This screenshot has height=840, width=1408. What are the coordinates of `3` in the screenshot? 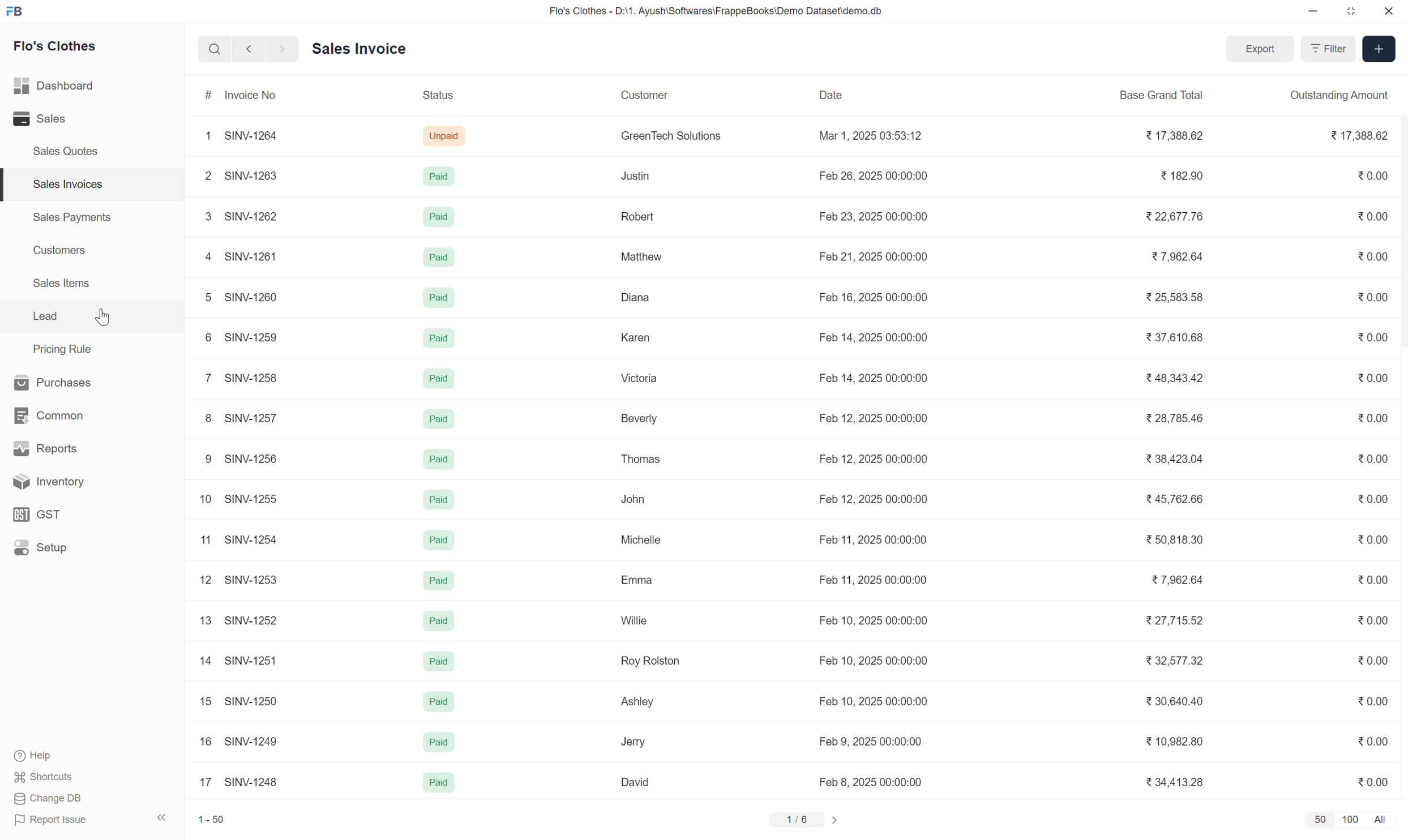 It's located at (203, 215).